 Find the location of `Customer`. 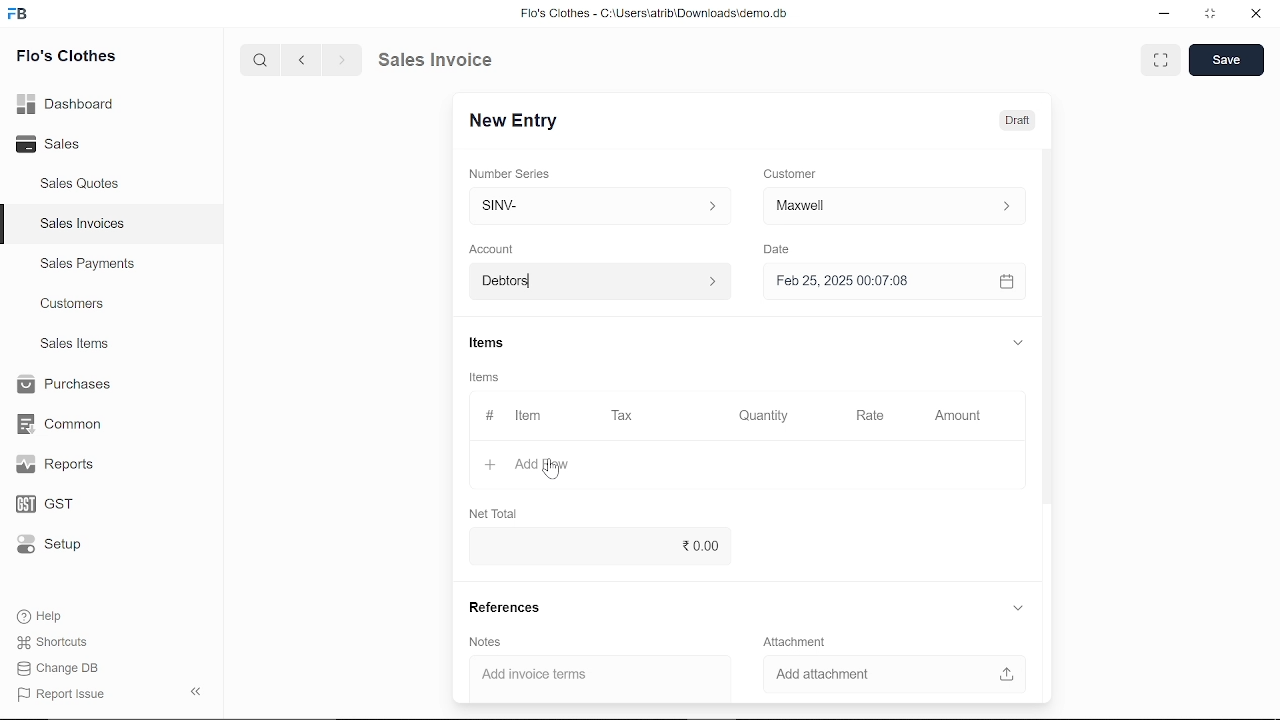

Customer is located at coordinates (790, 173).